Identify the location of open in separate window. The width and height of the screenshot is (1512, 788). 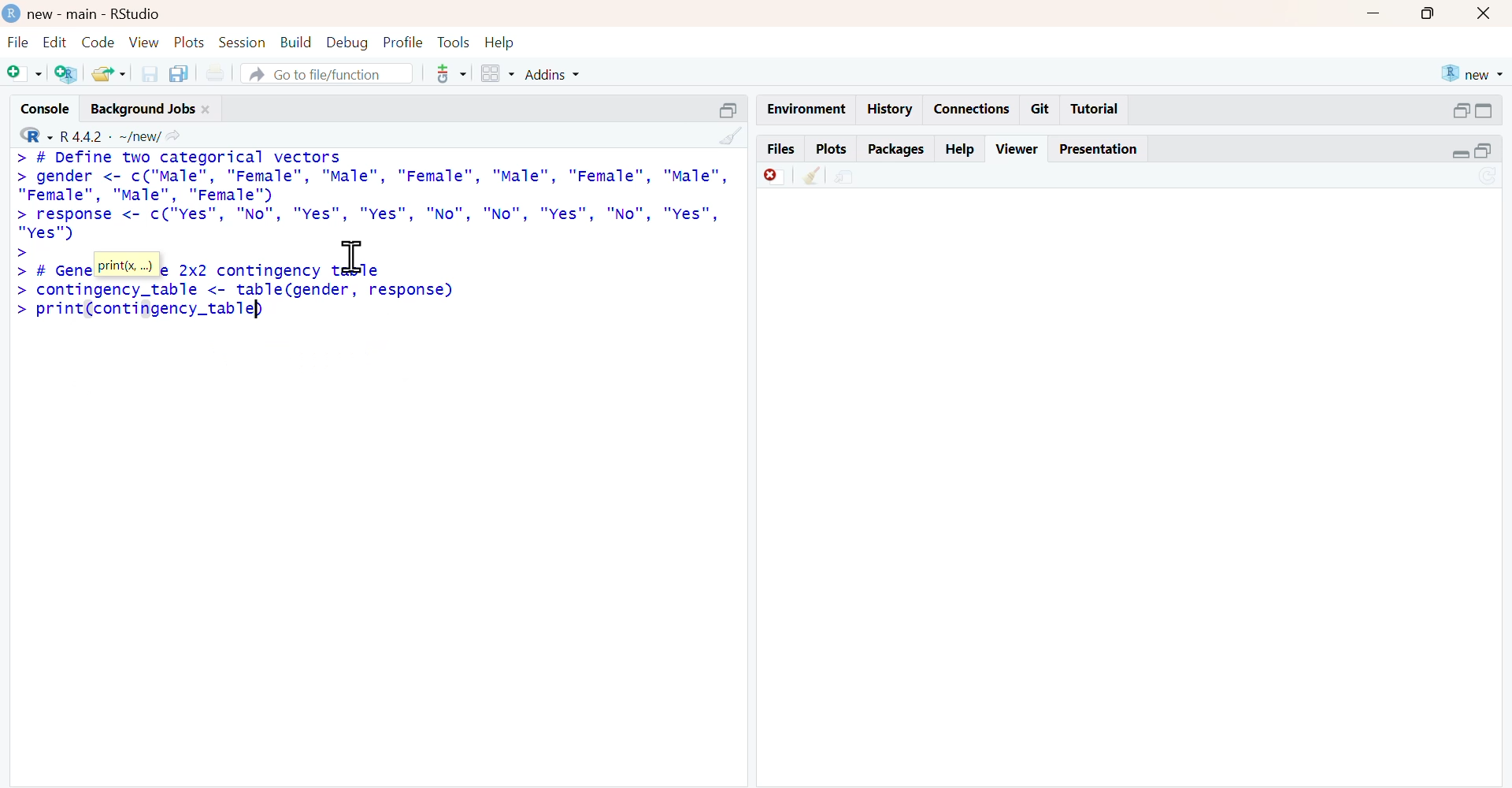
(1484, 151).